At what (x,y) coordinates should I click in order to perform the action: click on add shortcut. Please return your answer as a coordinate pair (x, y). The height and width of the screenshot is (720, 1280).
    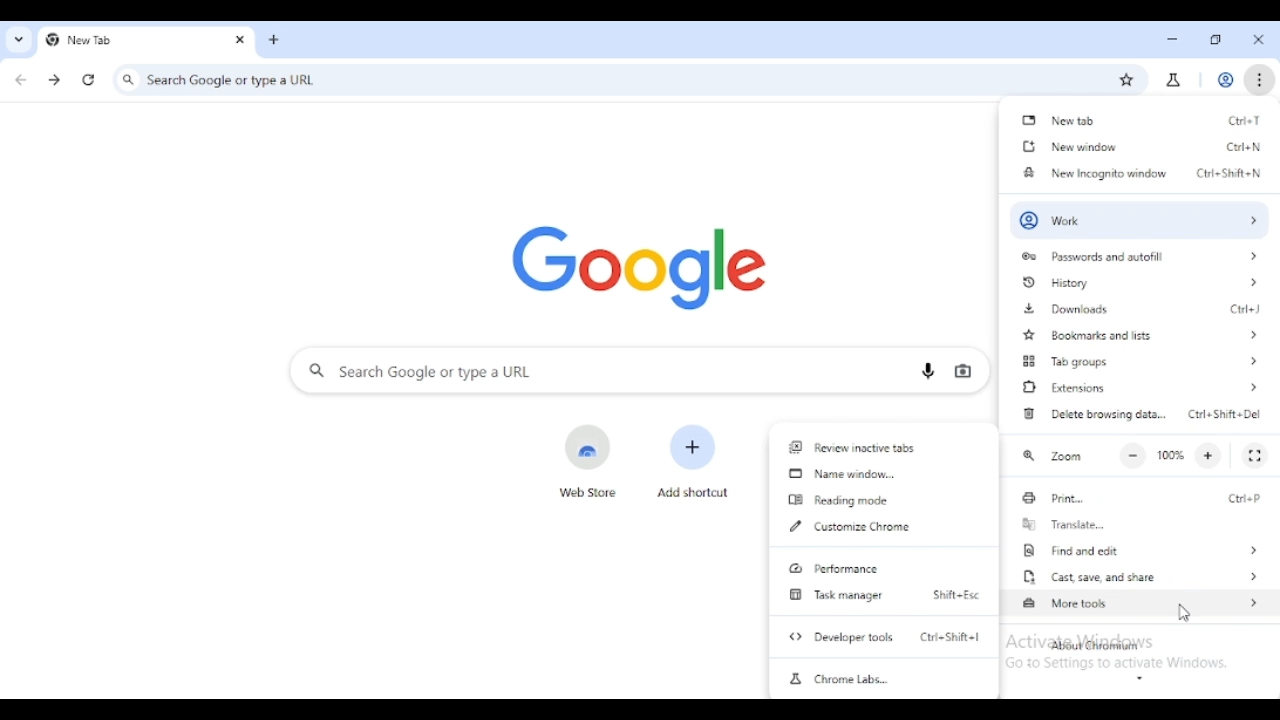
    Looking at the image, I should click on (693, 460).